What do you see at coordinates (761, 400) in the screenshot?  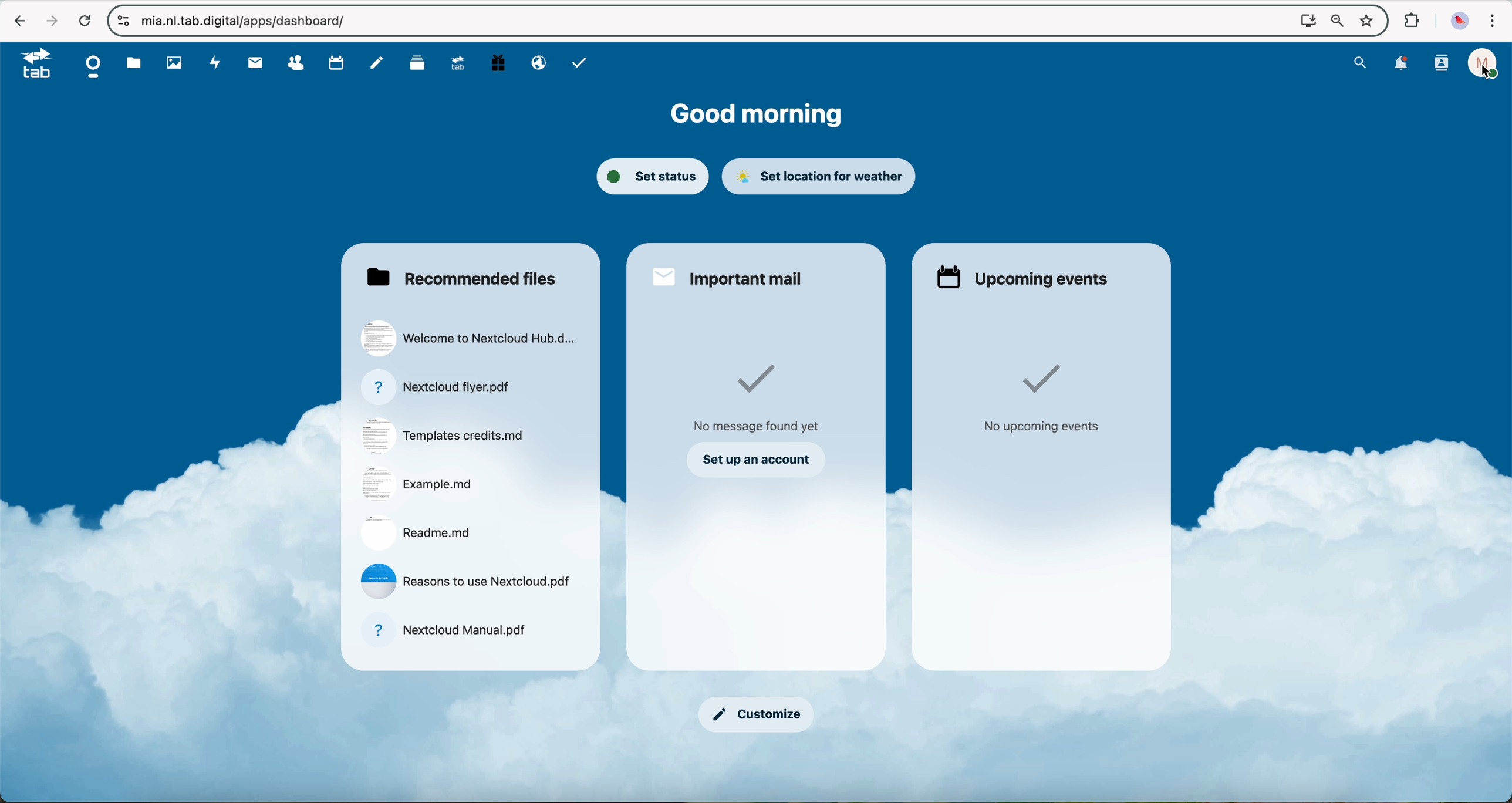 I see `no messages found yet` at bounding box center [761, 400].